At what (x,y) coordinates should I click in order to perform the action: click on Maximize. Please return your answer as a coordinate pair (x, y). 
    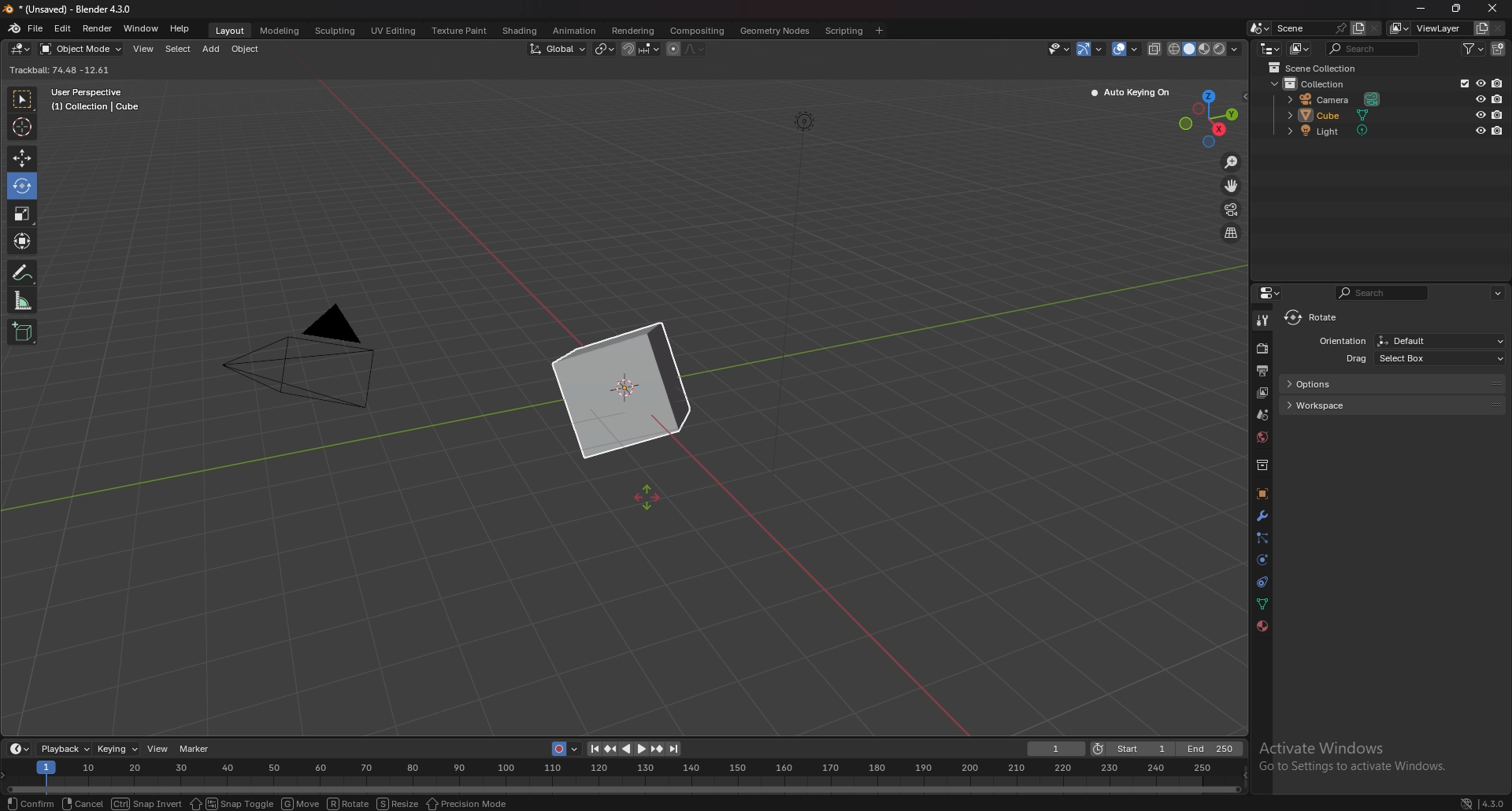
    Looking at the image, I should click on (1458, 9).